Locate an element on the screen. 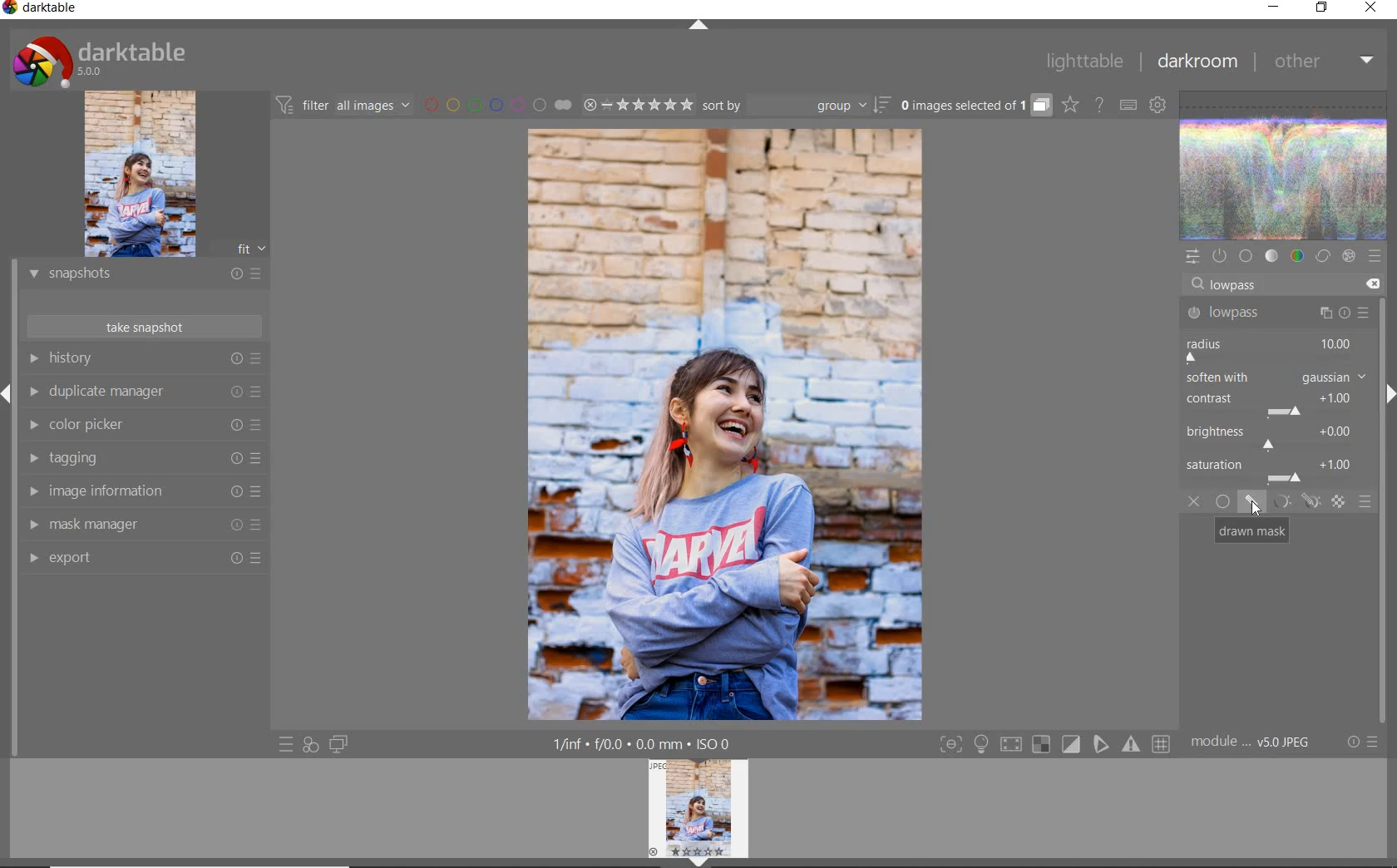  filter all images by module order is located at coordinates (344, 106).